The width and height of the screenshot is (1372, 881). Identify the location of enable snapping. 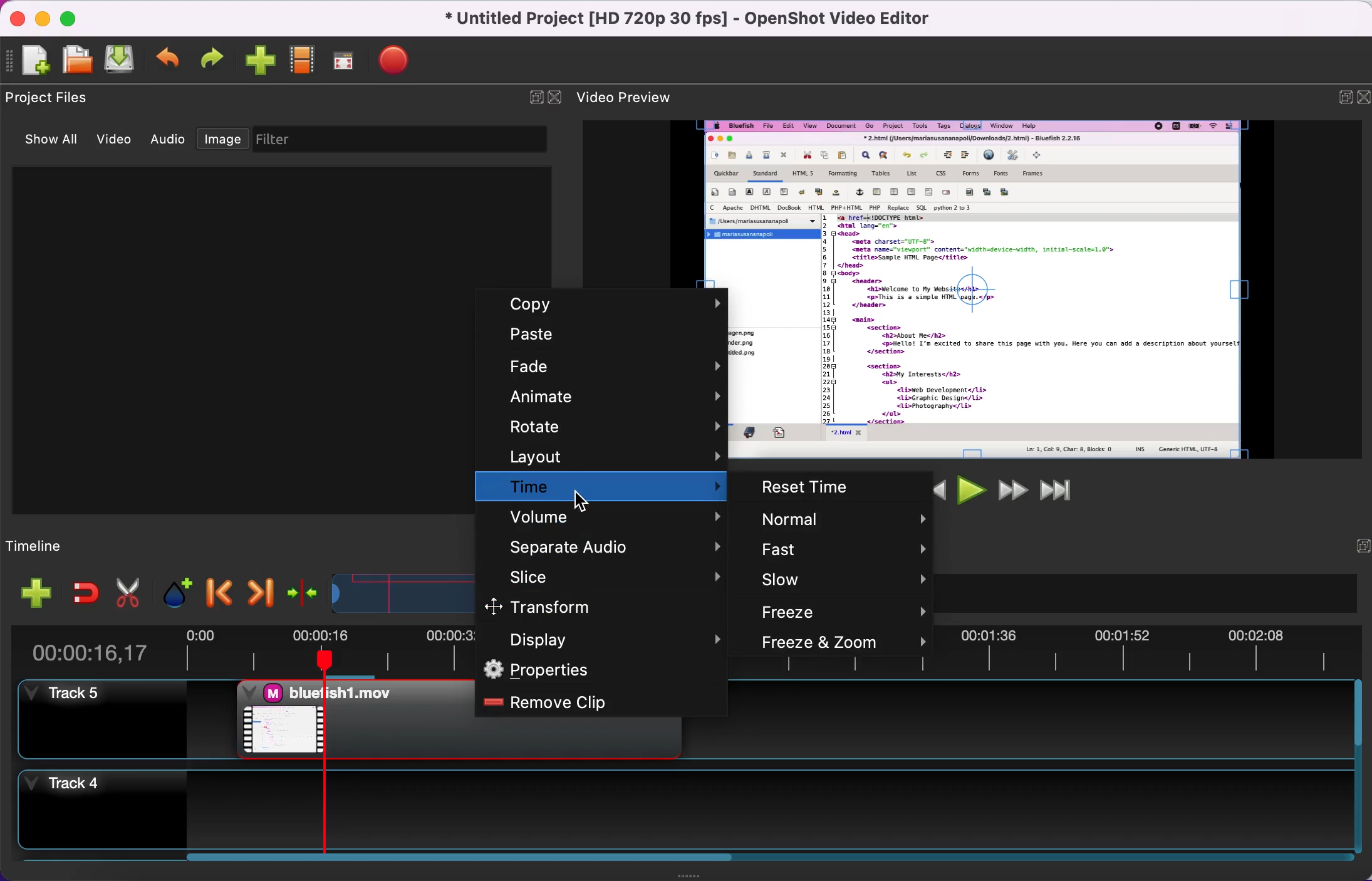
(80, 592).